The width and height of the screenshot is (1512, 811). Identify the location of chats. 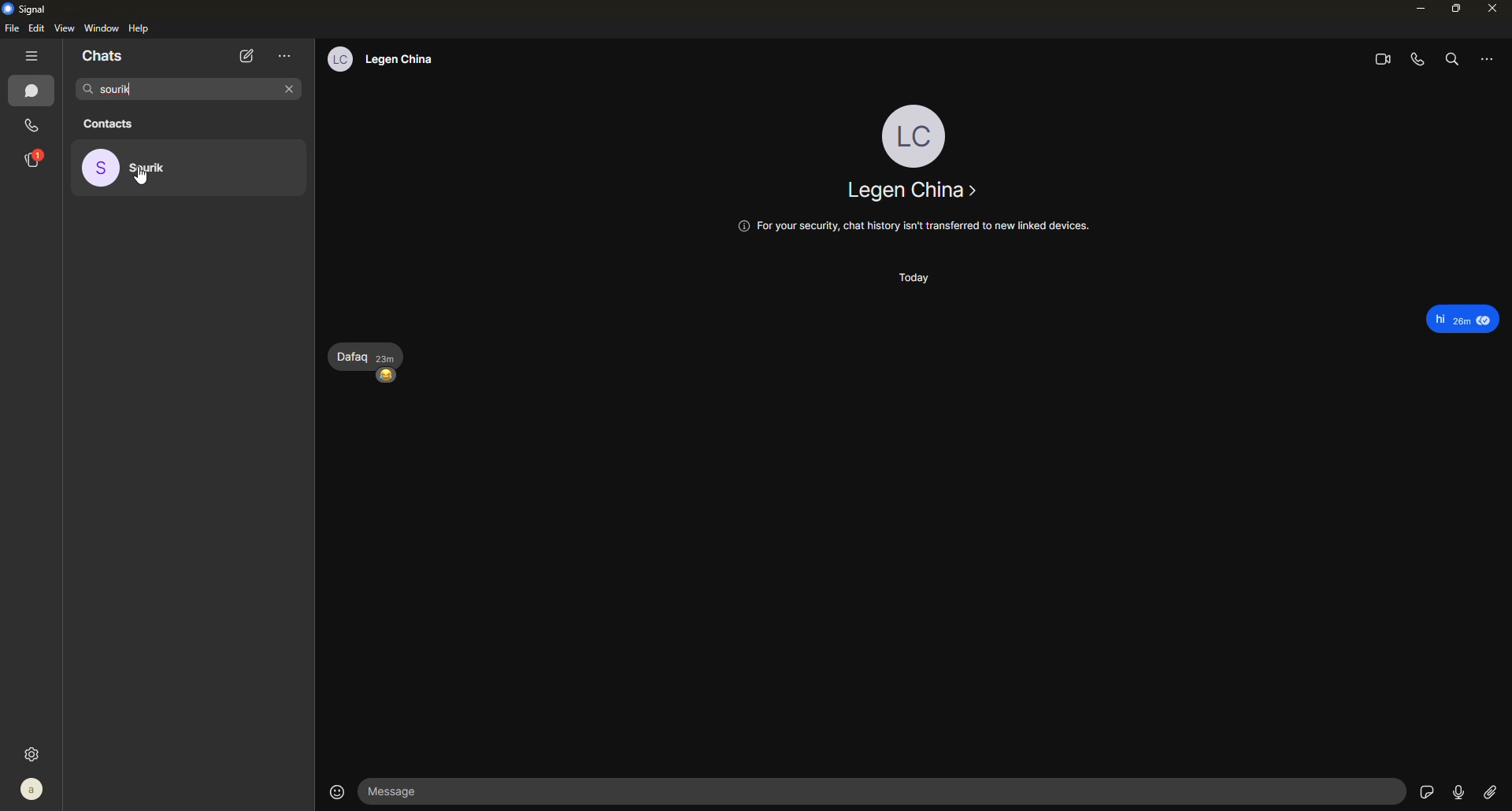
(103, 56).